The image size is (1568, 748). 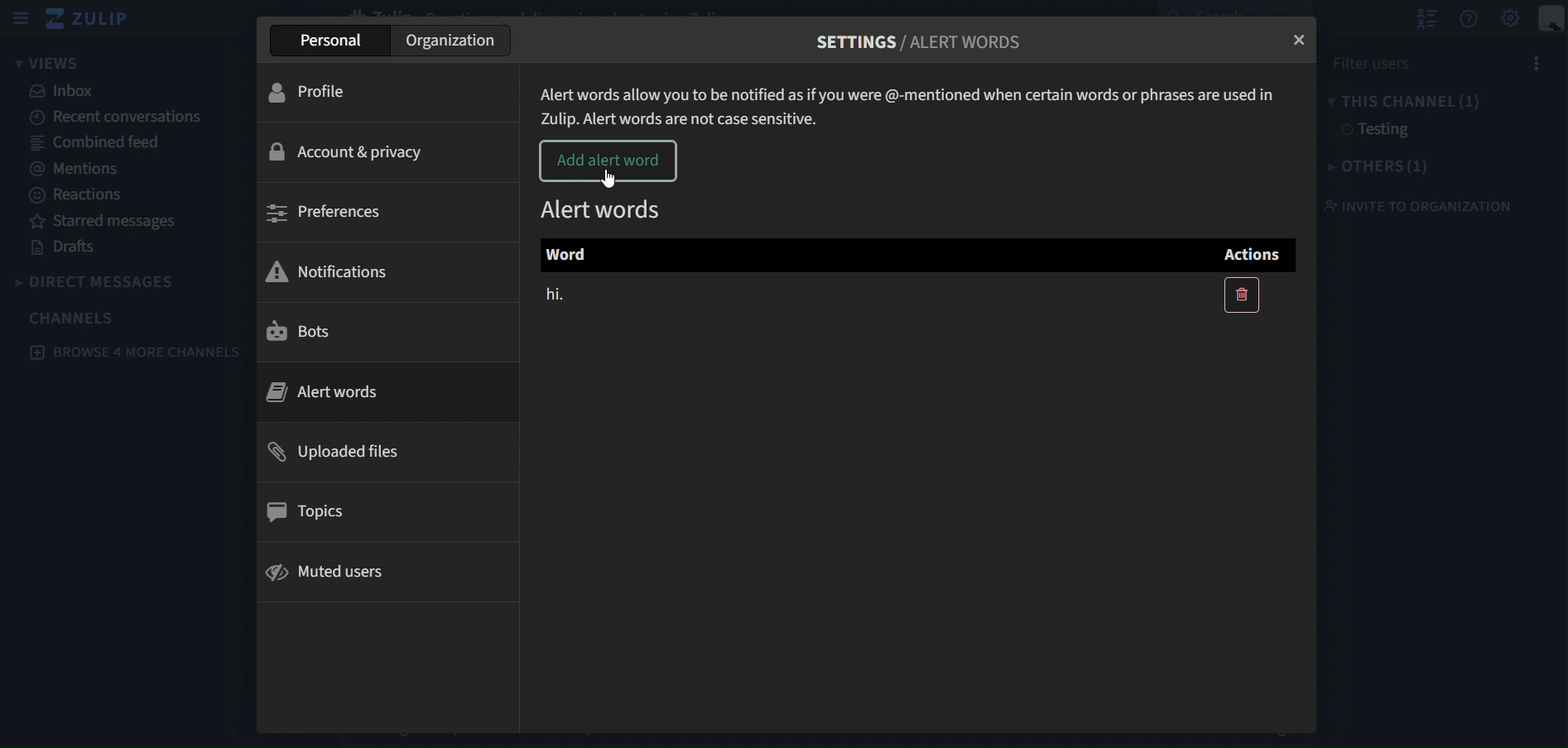 What do you see at coordinates (305, 336) in the screenshot?
I see `bots` at bounding box center [305, 336].